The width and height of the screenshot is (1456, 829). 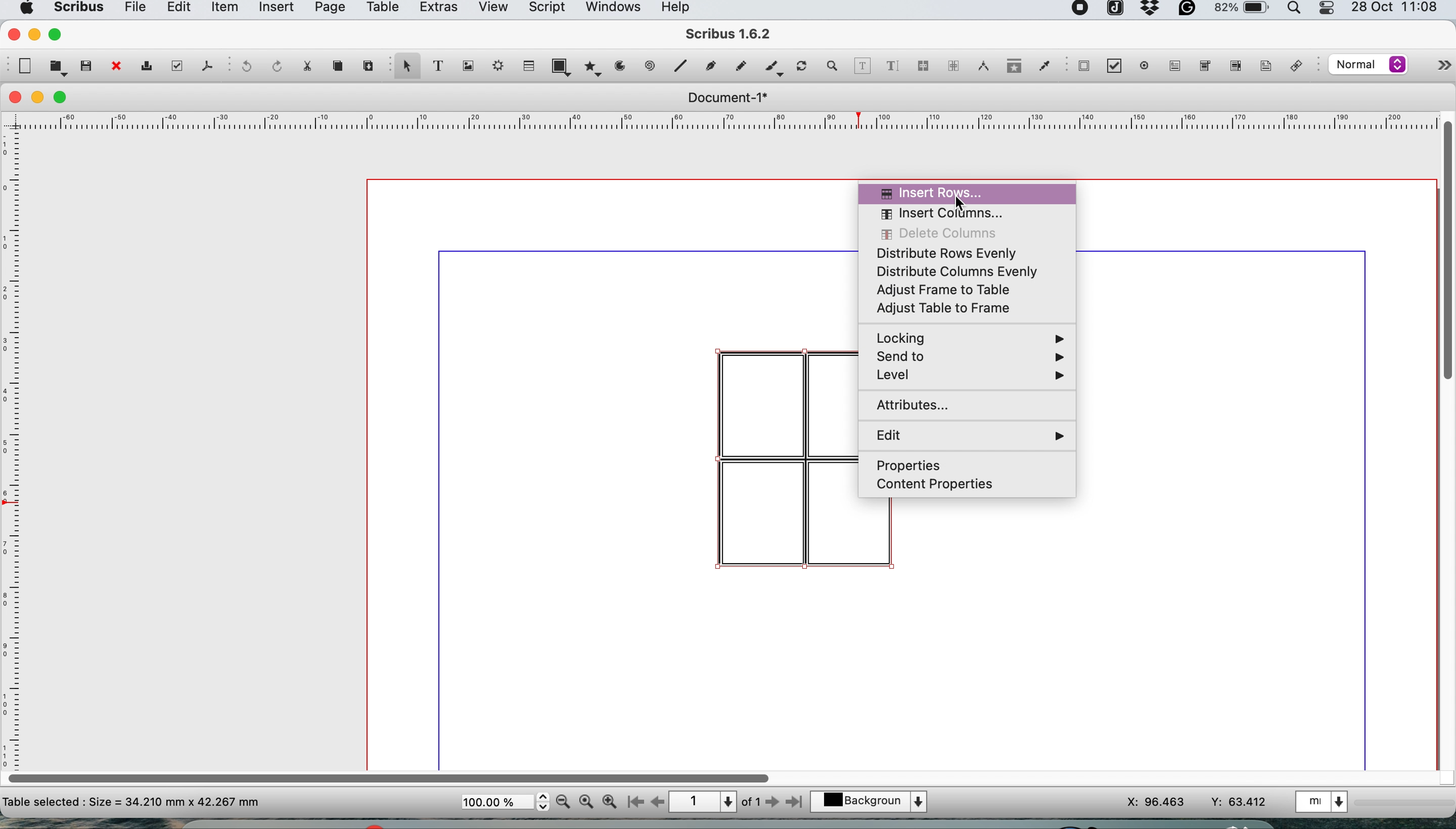 I want to click on pdf combo box, so click(x=1203, y=69).